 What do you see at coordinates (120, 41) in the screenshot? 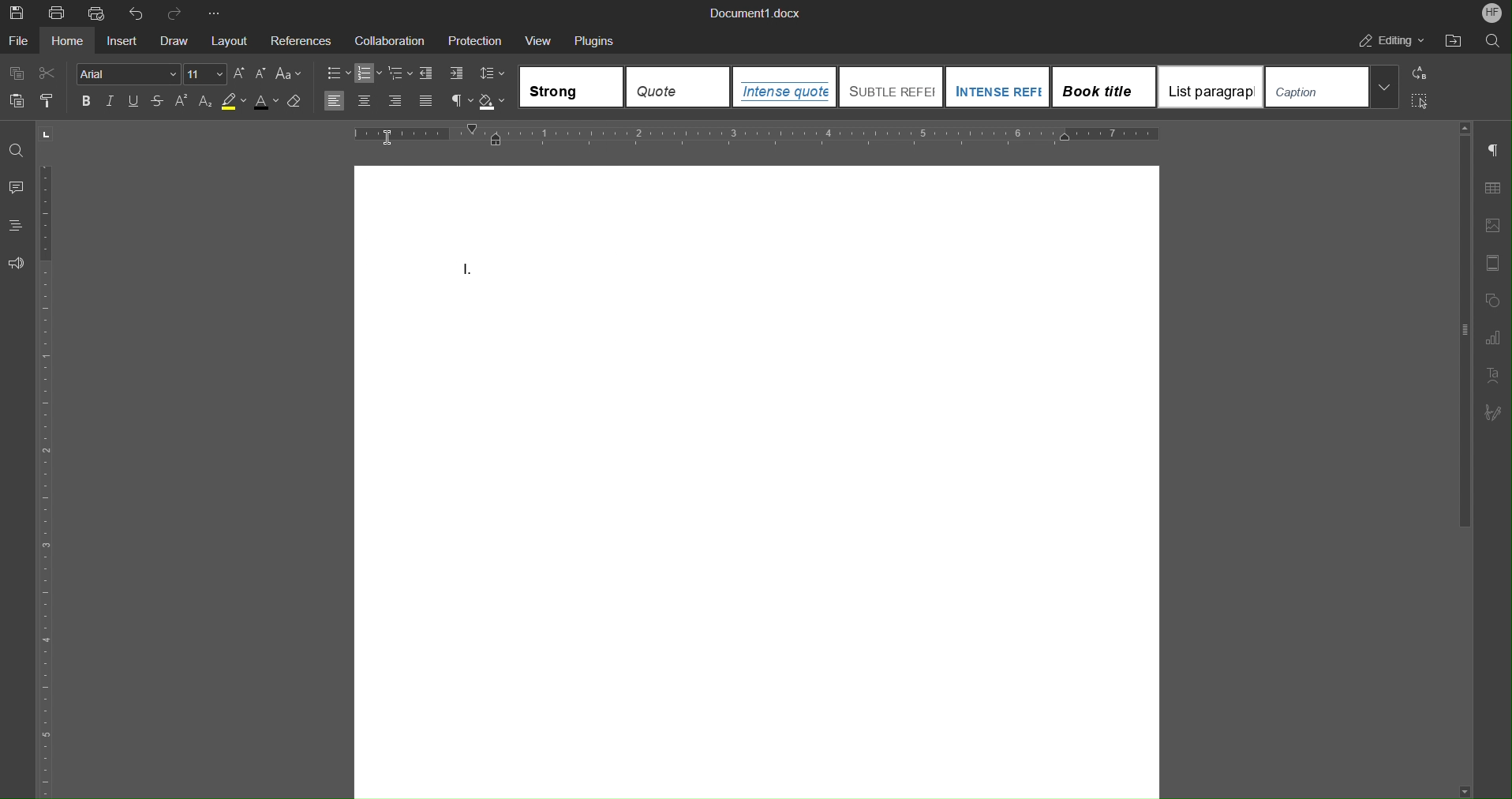
I see `Insert` at bounding box center [120, 41].